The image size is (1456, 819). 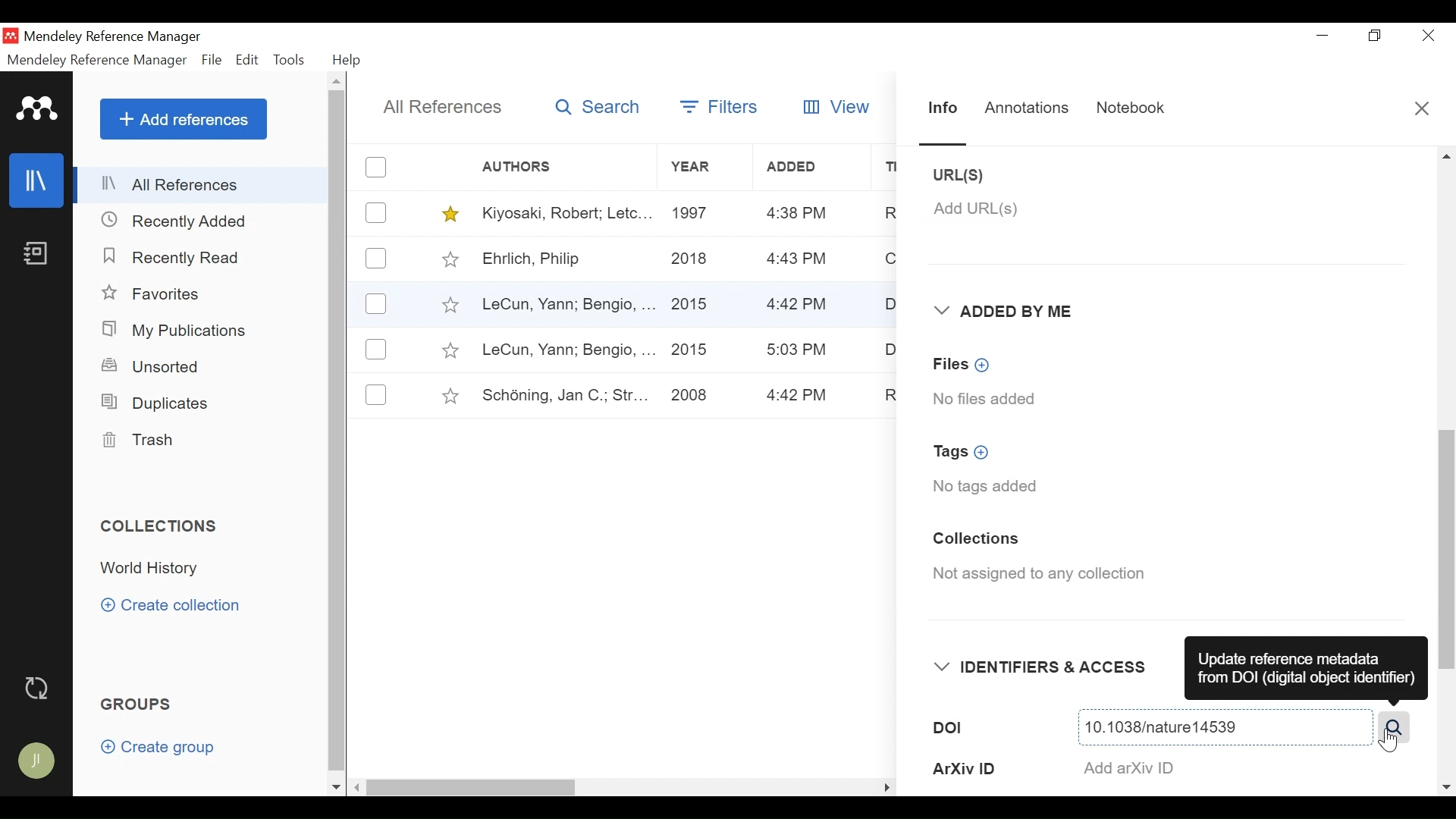 What do you see at coordinates (1376, 36) in the screenshot?
I see `Restore` at bounding box center [1376, 36].